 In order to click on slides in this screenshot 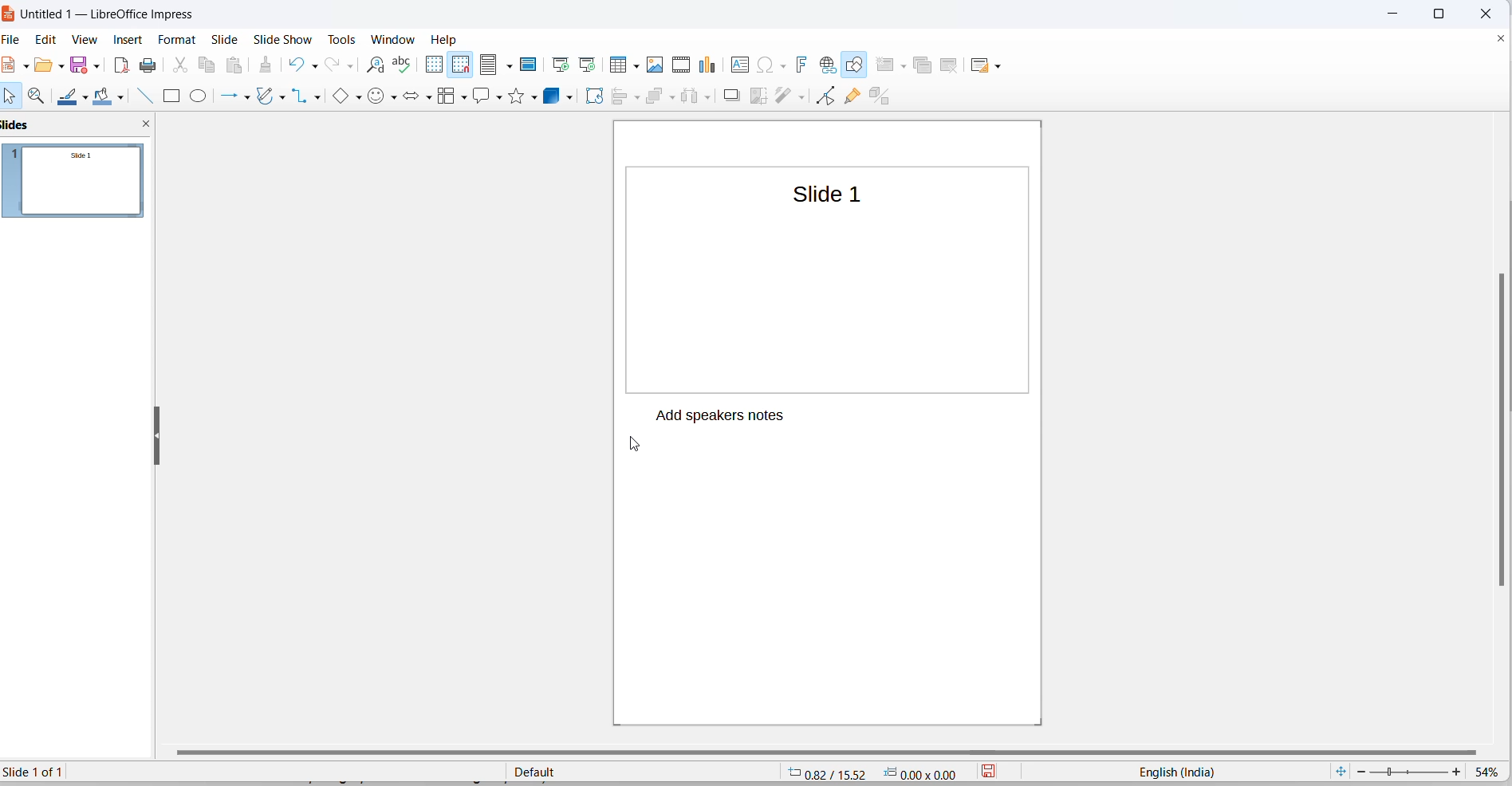, I will do `click(79, 185)`.